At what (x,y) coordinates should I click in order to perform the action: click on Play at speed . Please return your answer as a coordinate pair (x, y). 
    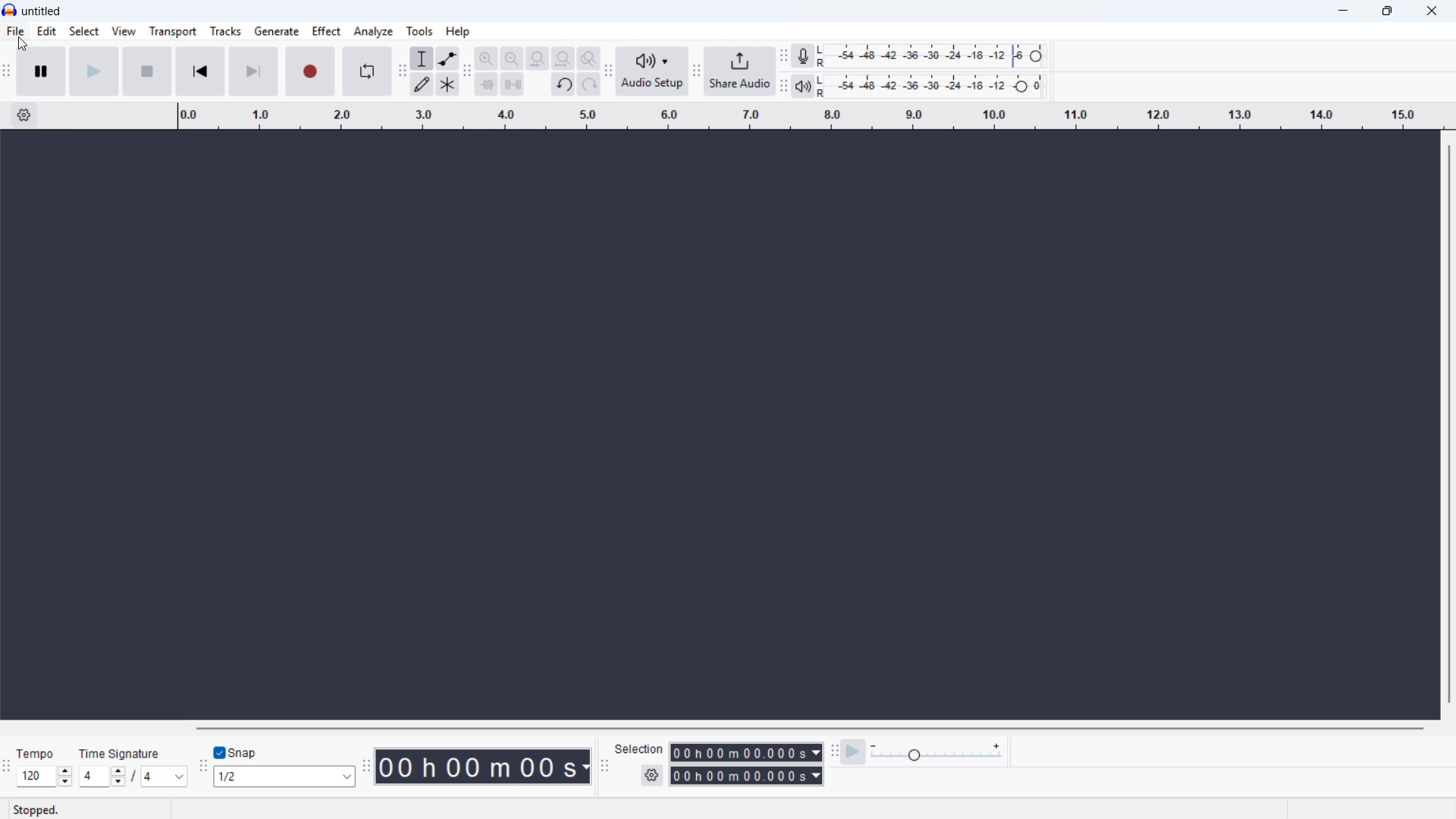
    Looking at the image, I should click on (854, 751).